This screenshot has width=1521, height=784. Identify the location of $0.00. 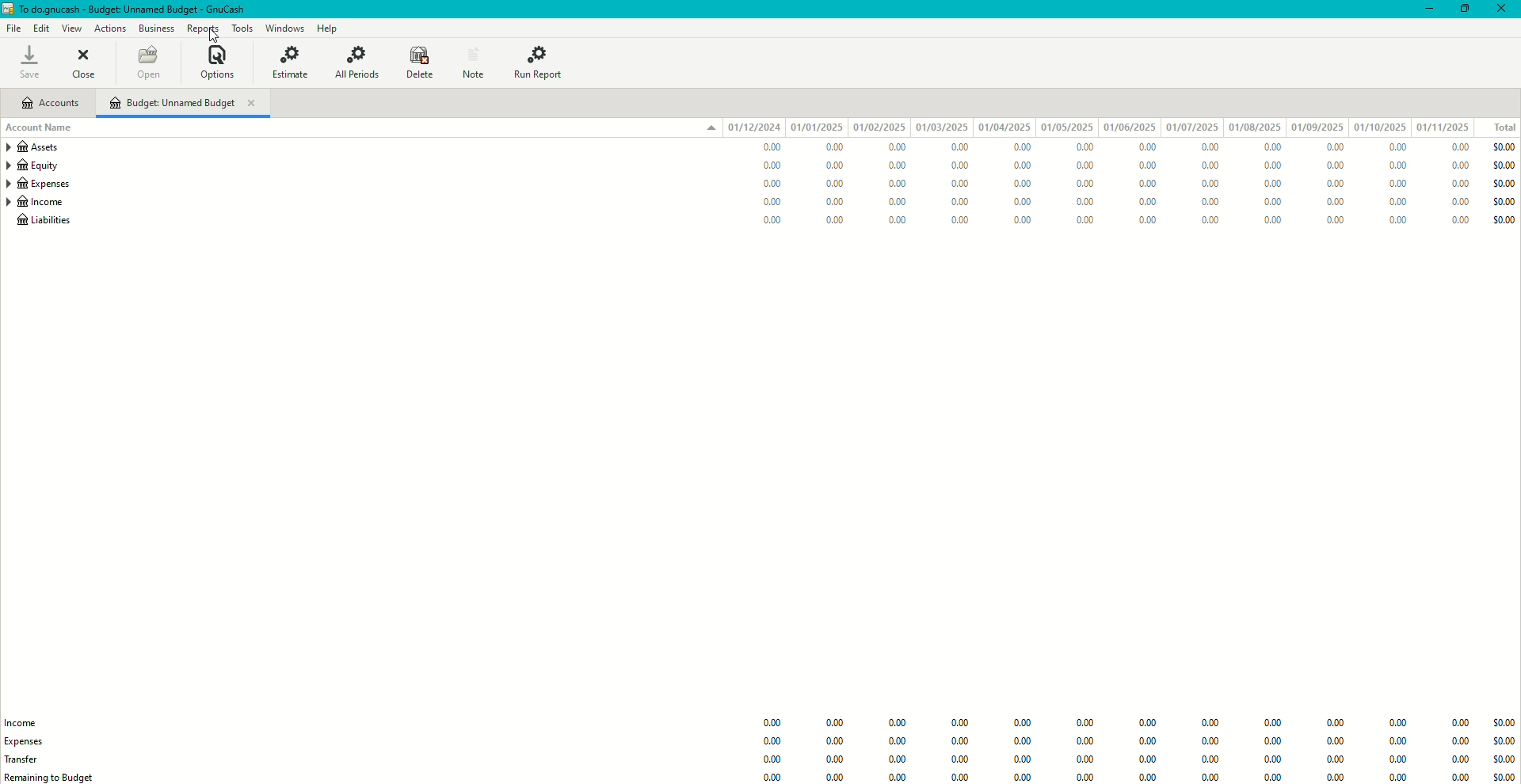
(1502, 723).